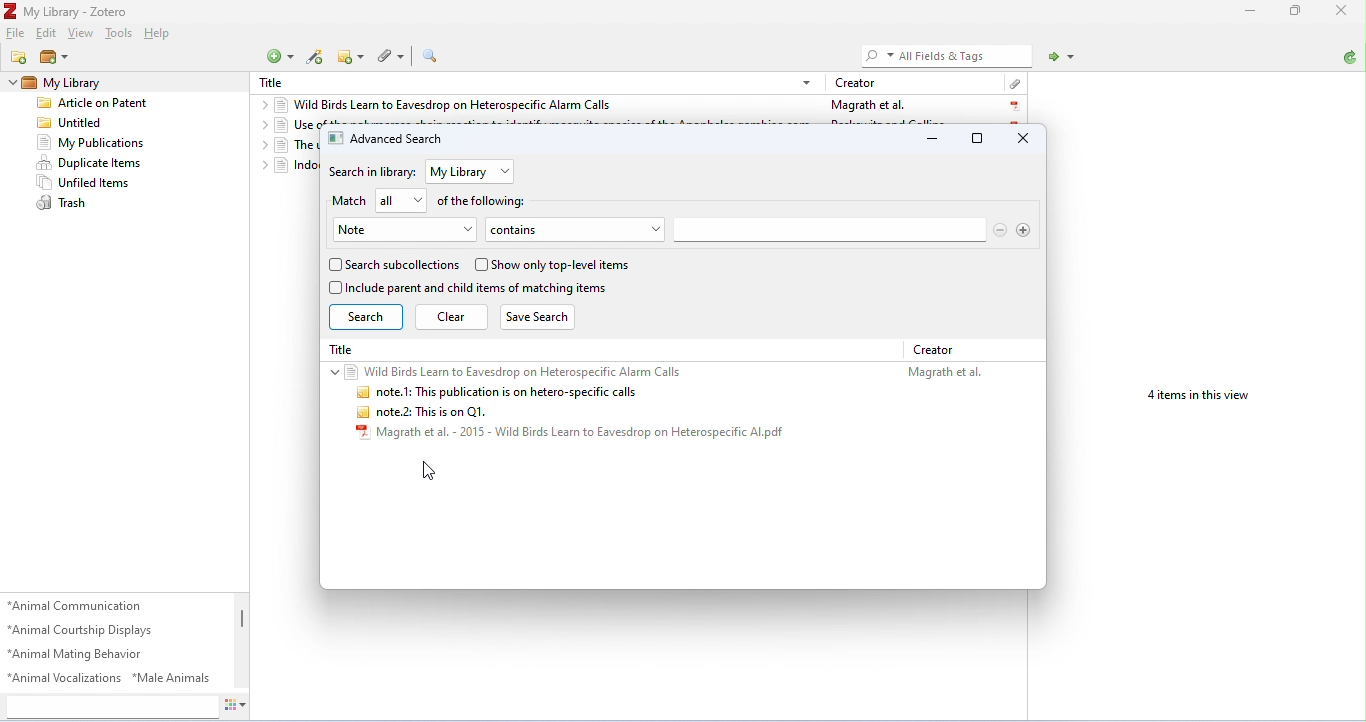  What do you see at coordinates (460, 172) in the screenshot?
I see `my library` at bounding box center [460, 172].